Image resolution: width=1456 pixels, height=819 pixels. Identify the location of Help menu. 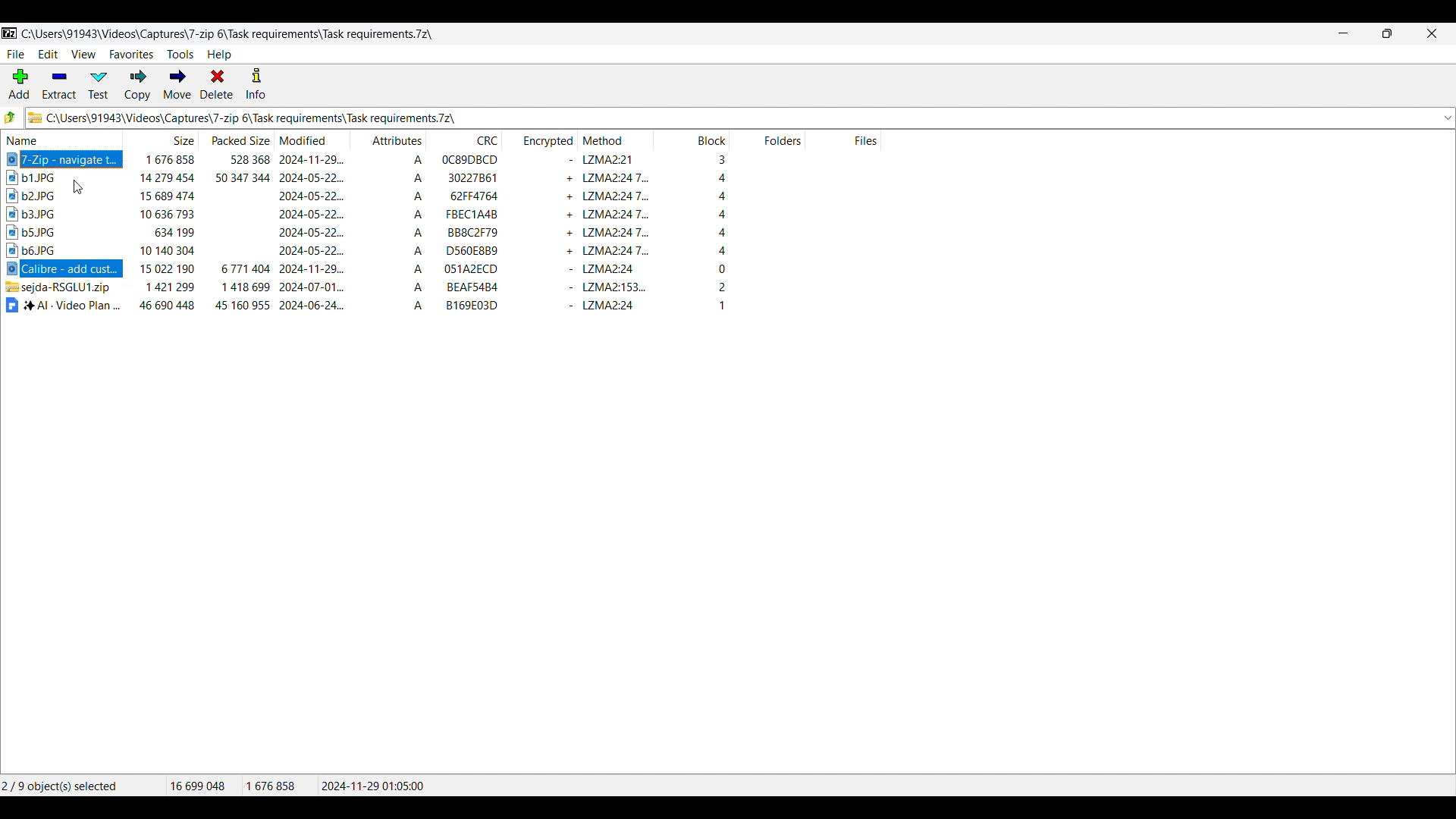
(220, 55).